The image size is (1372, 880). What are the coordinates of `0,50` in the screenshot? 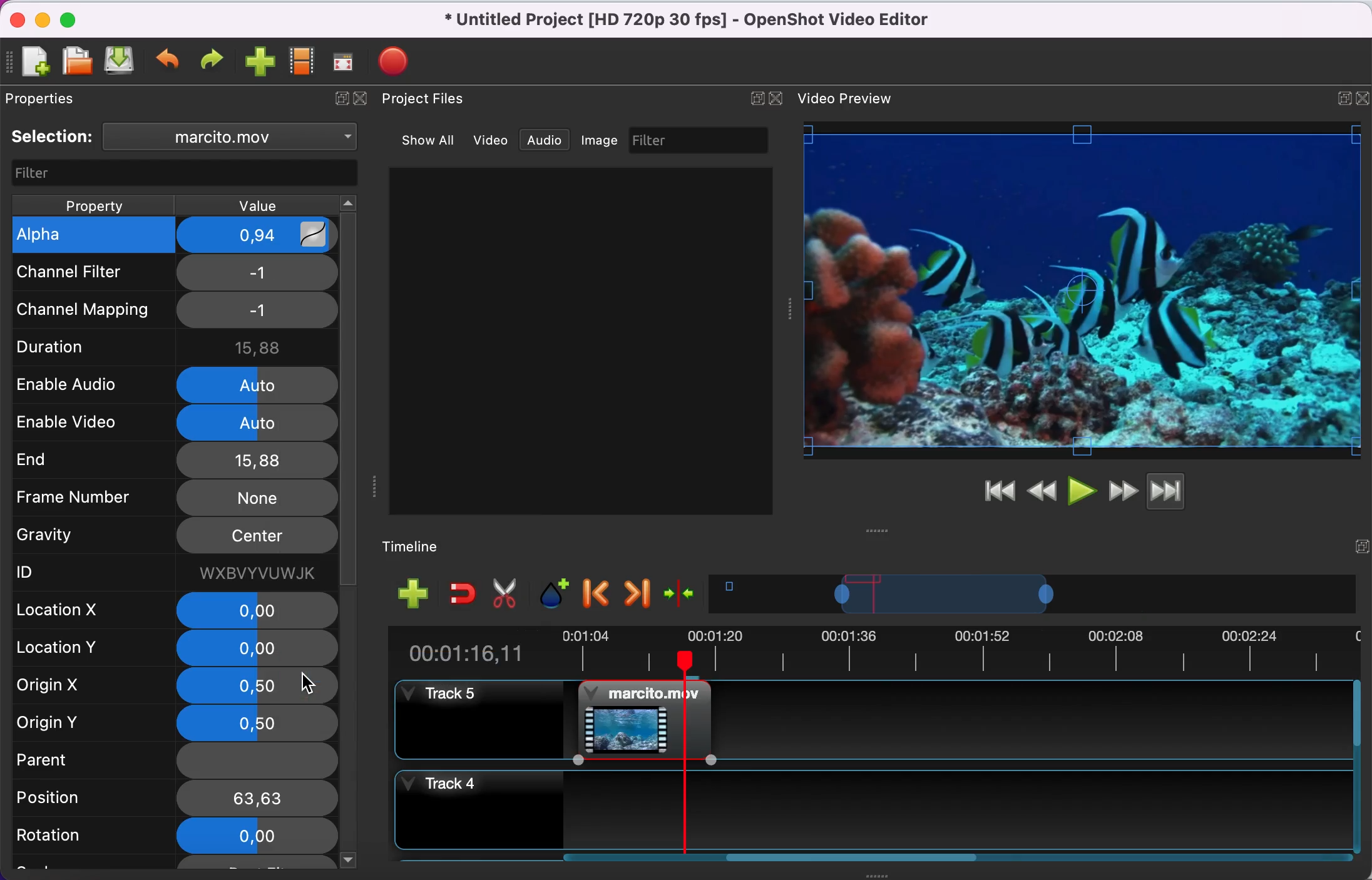 It's located at (257, 723).